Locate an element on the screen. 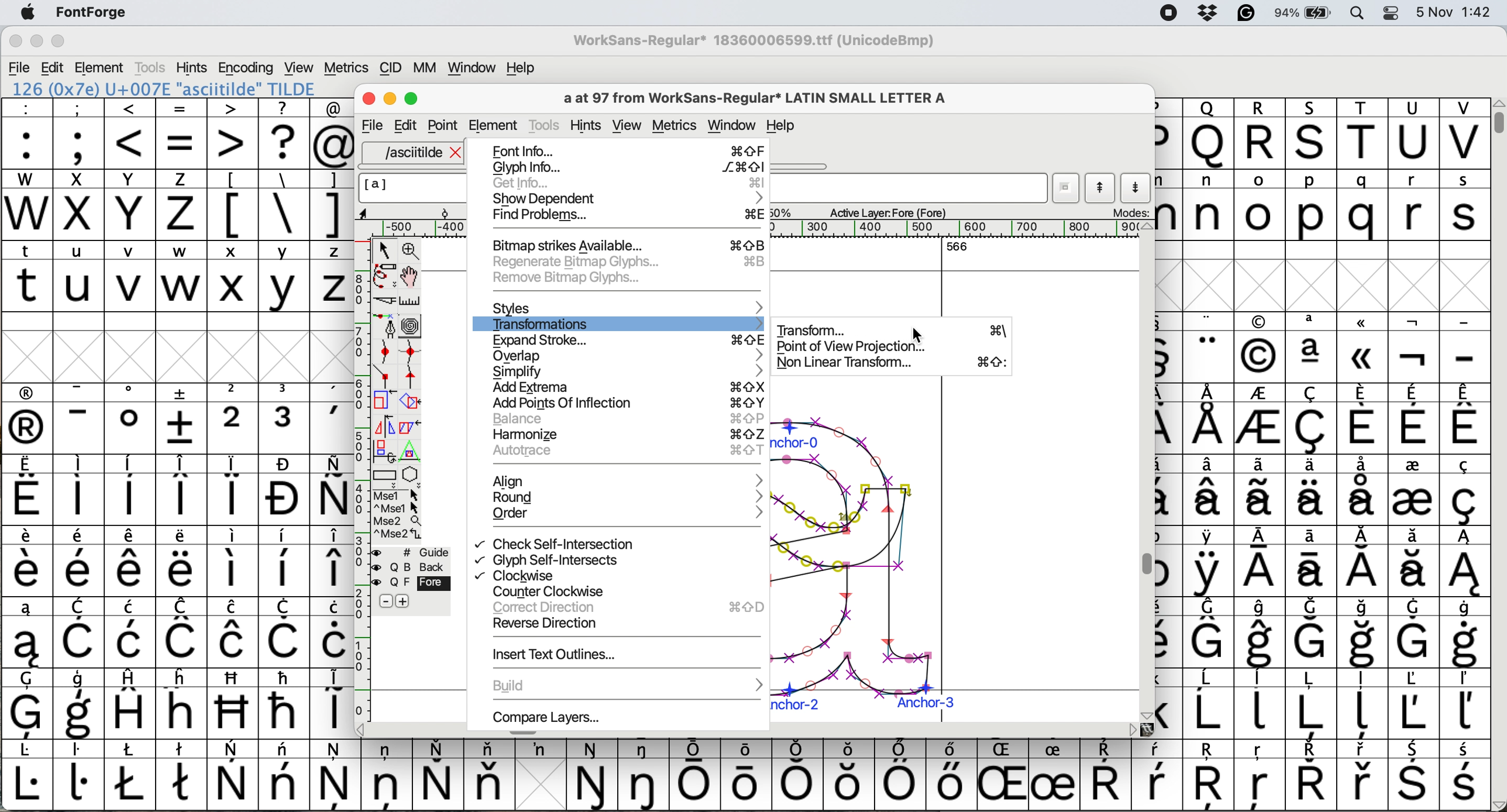 This screenshot has width=1507, height=812. scroll button is located at coordinates (1133, 729).